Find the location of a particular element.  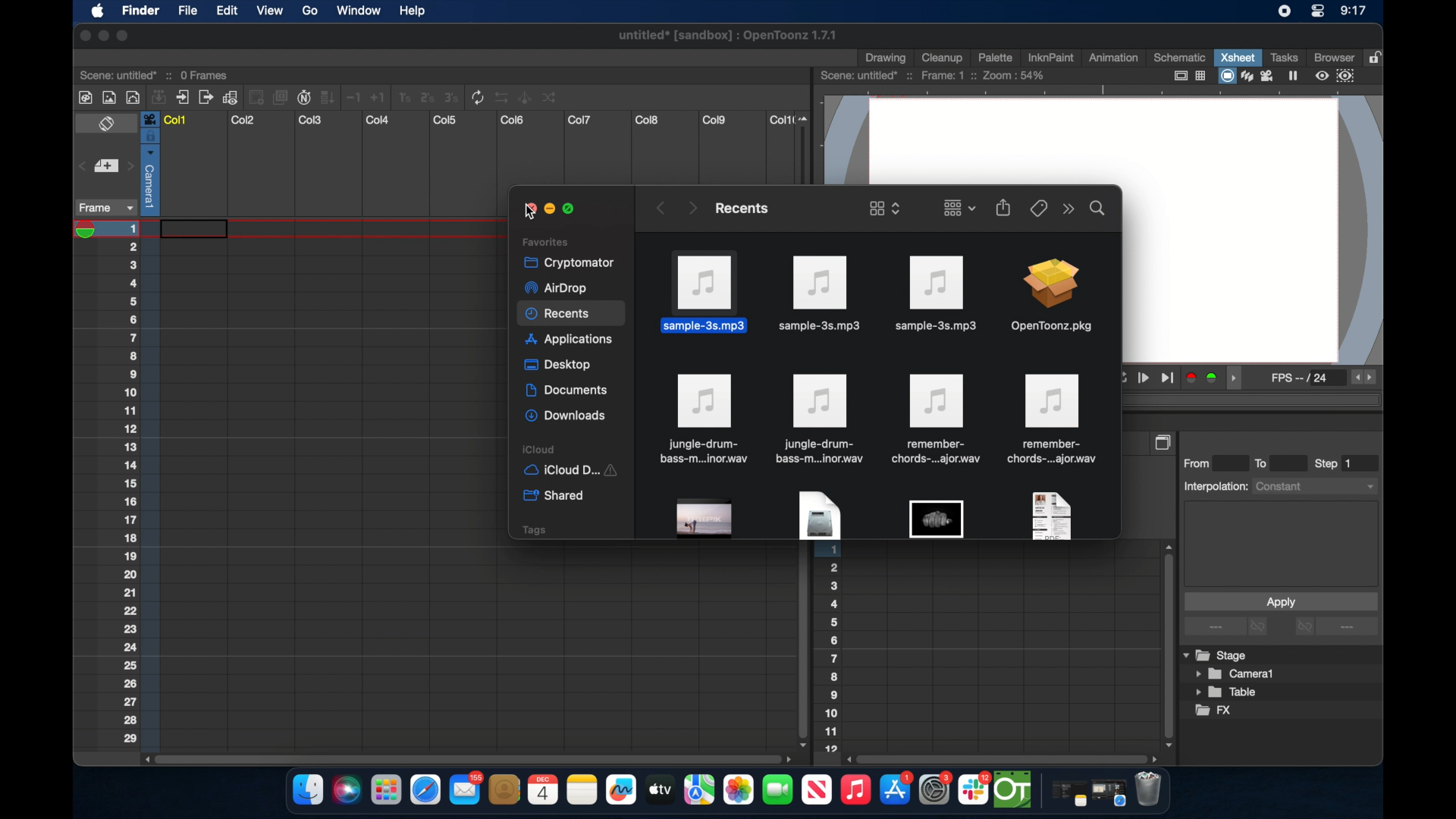

interpolations is located at coordinates (1279, 485).